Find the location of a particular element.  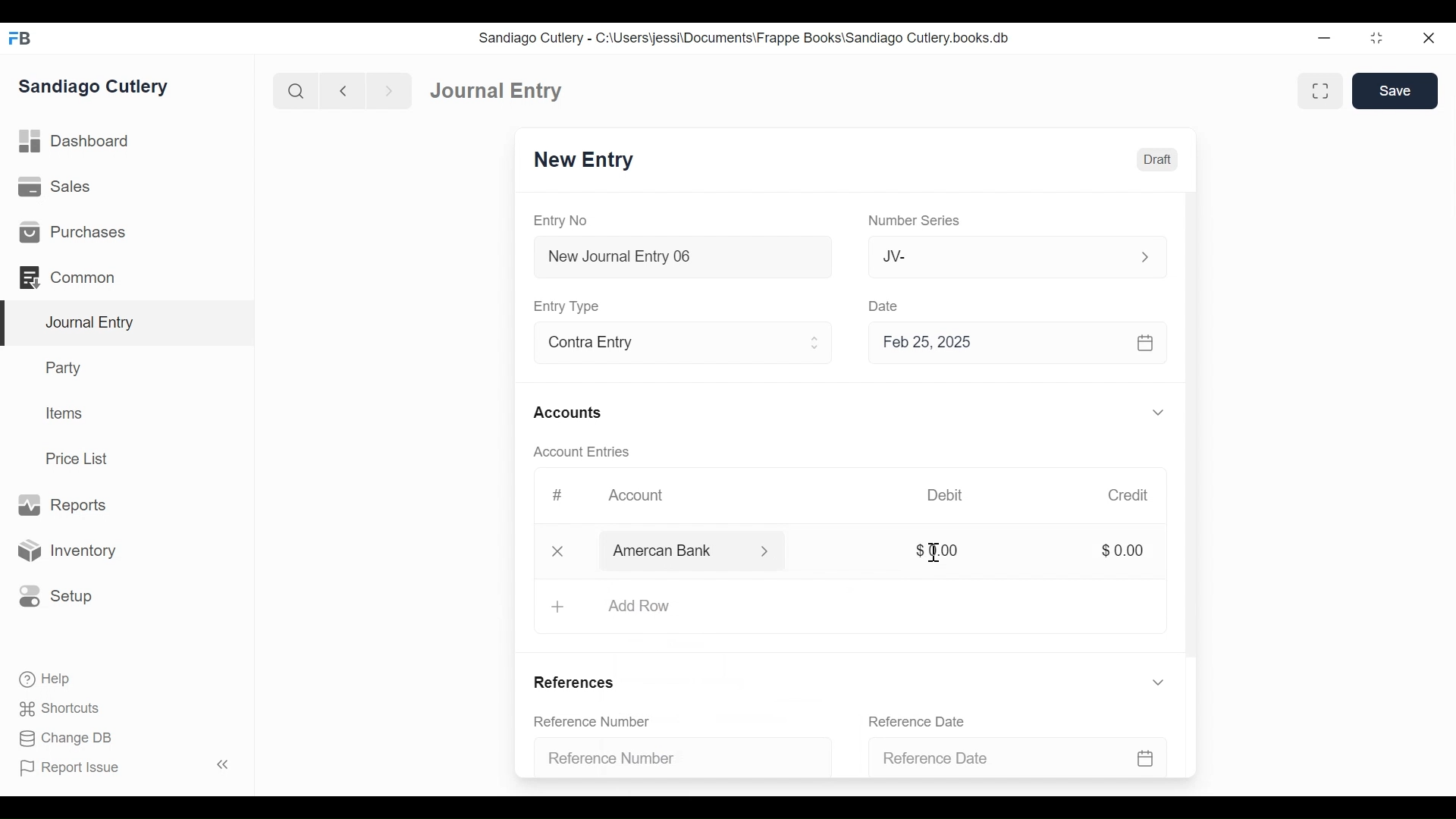

Number Series is located at coordinates (917, 221).